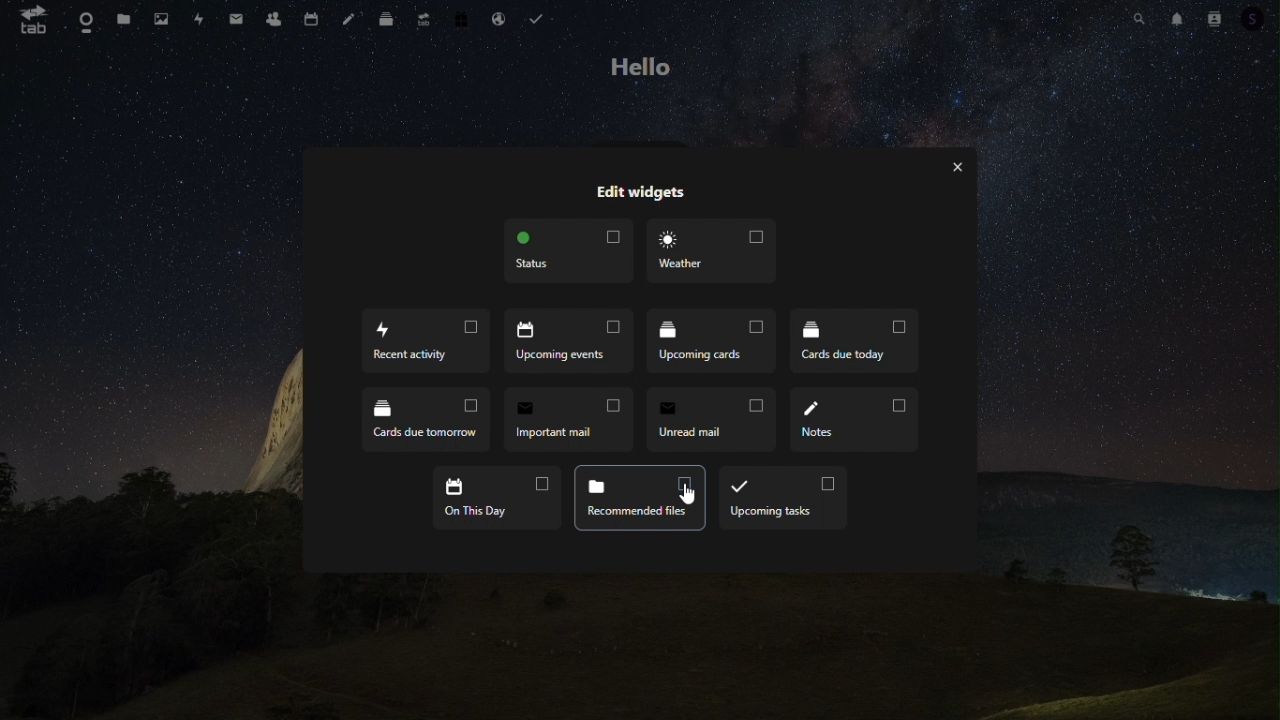 Image resolution: width=1280 pixels, height=720 pixels. What do you see at coordinates (566, 341) in the screenshot?
I see `upcoming events` at bounding box center [566, 341].